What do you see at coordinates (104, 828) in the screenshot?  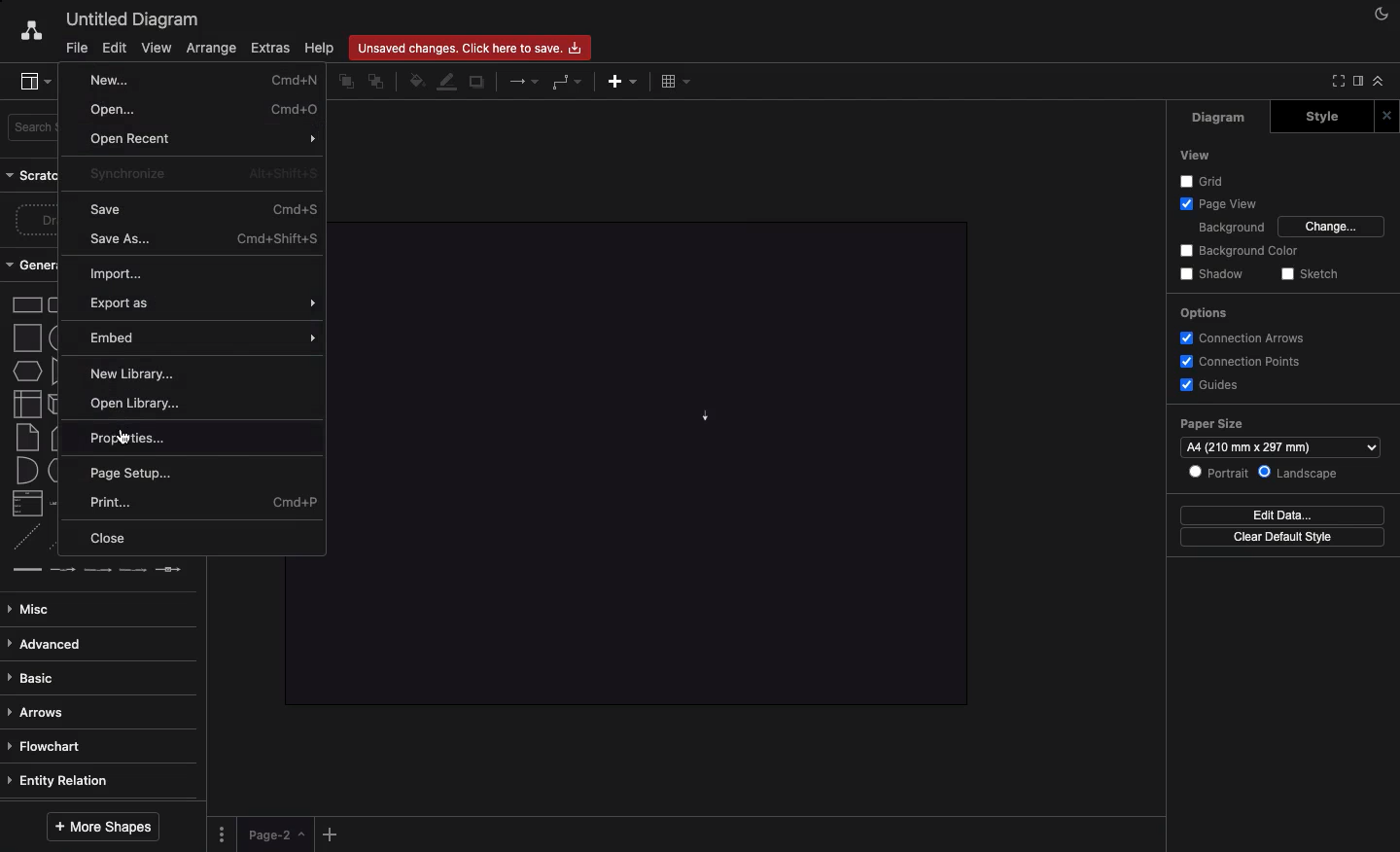 I see `More shapes` at bounding box center [104, 828].